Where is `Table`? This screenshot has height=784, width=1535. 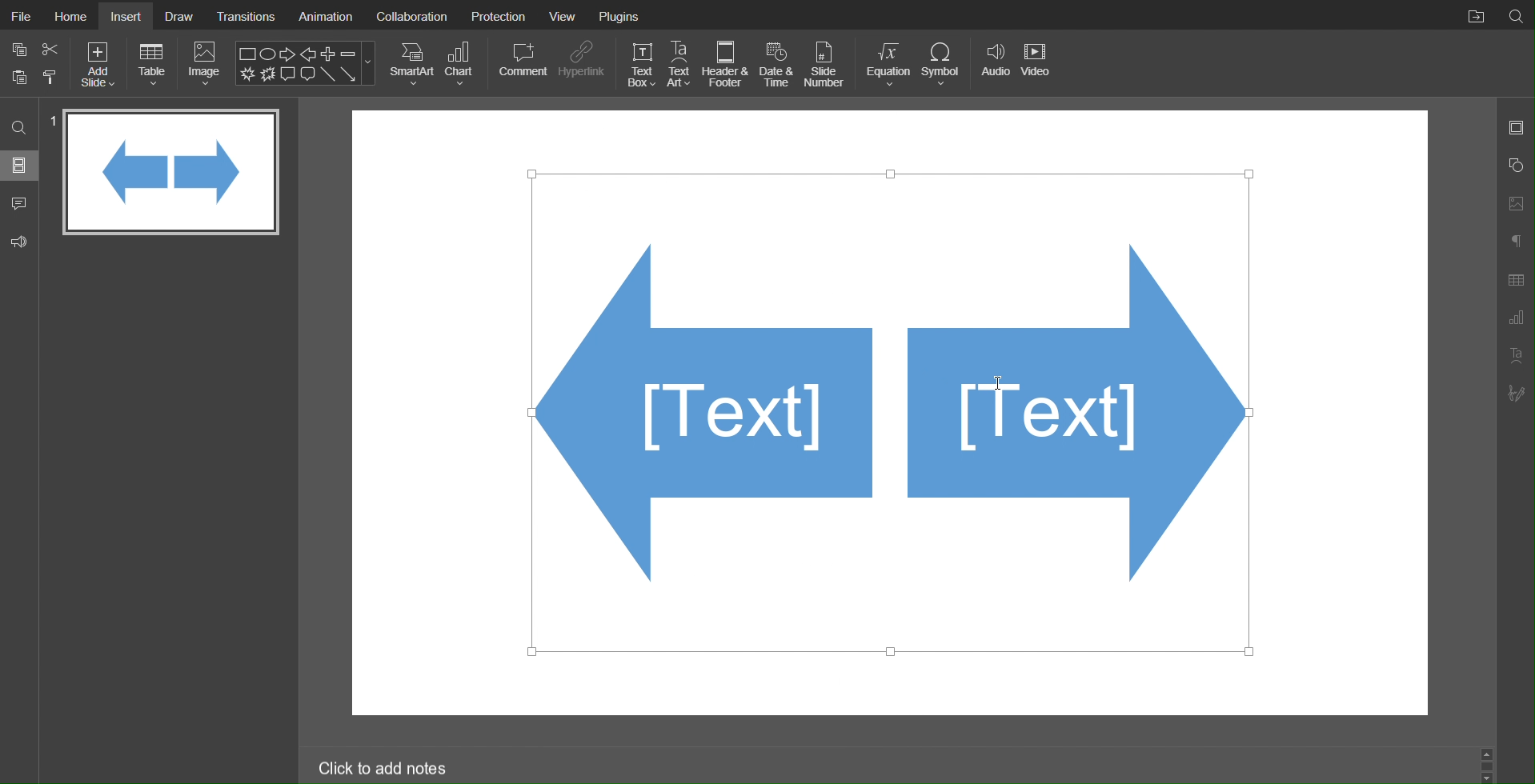 Table is located at coordinates (153, 64).